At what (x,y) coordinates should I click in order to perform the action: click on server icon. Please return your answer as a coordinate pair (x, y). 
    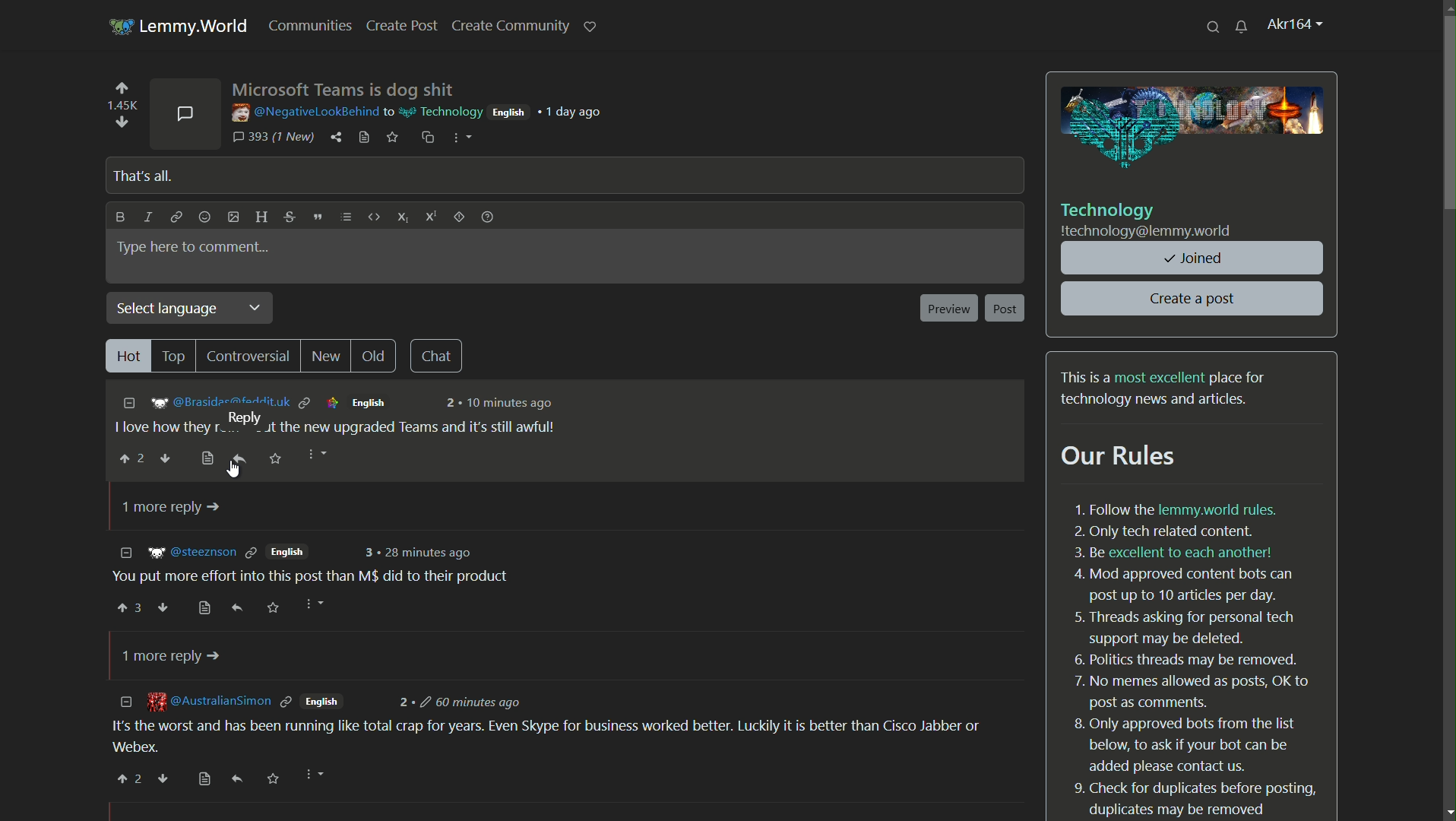
    Looking at the image, I should click on (119, 24).